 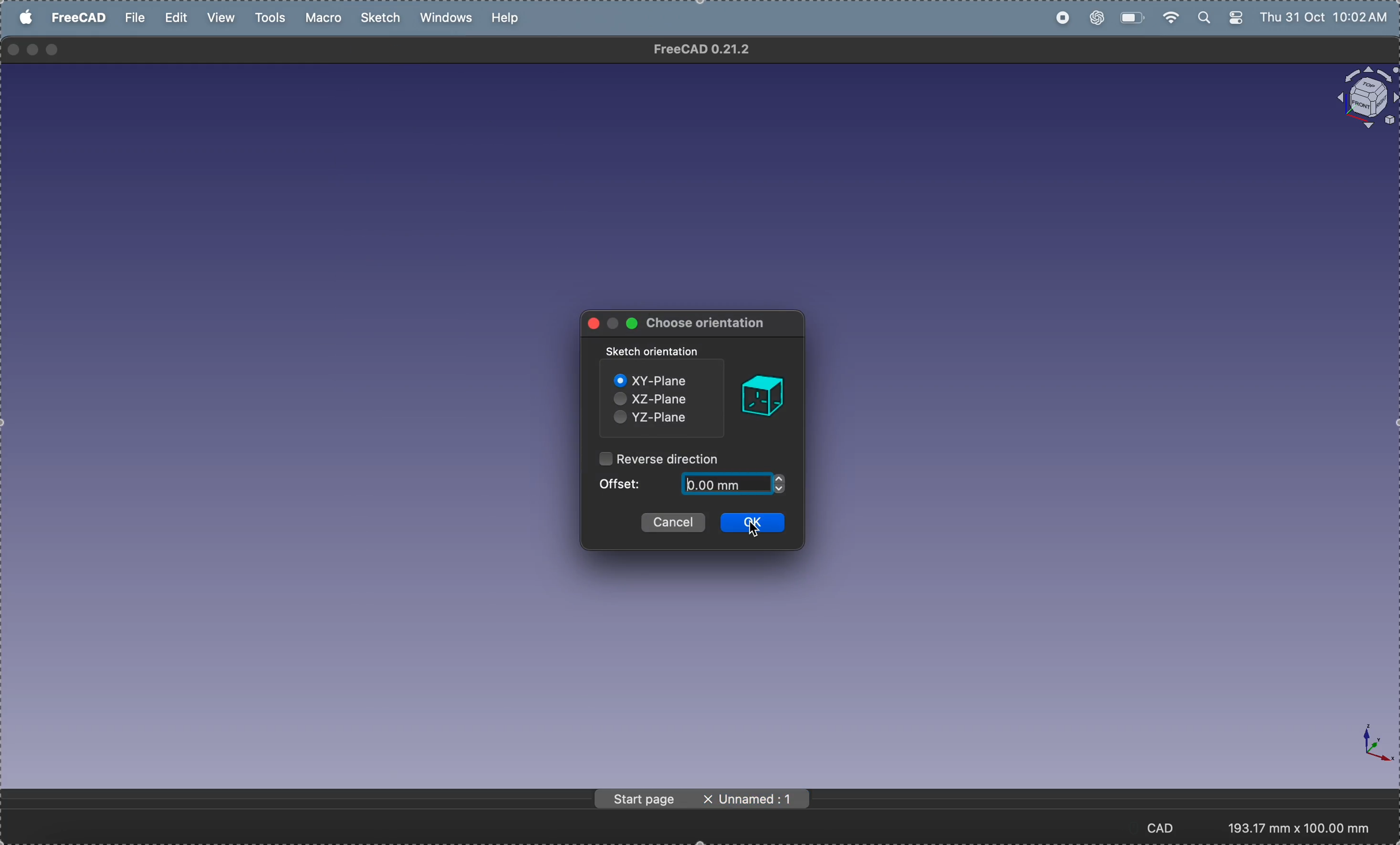 I want to click on page start, so click(x=644, y=799).